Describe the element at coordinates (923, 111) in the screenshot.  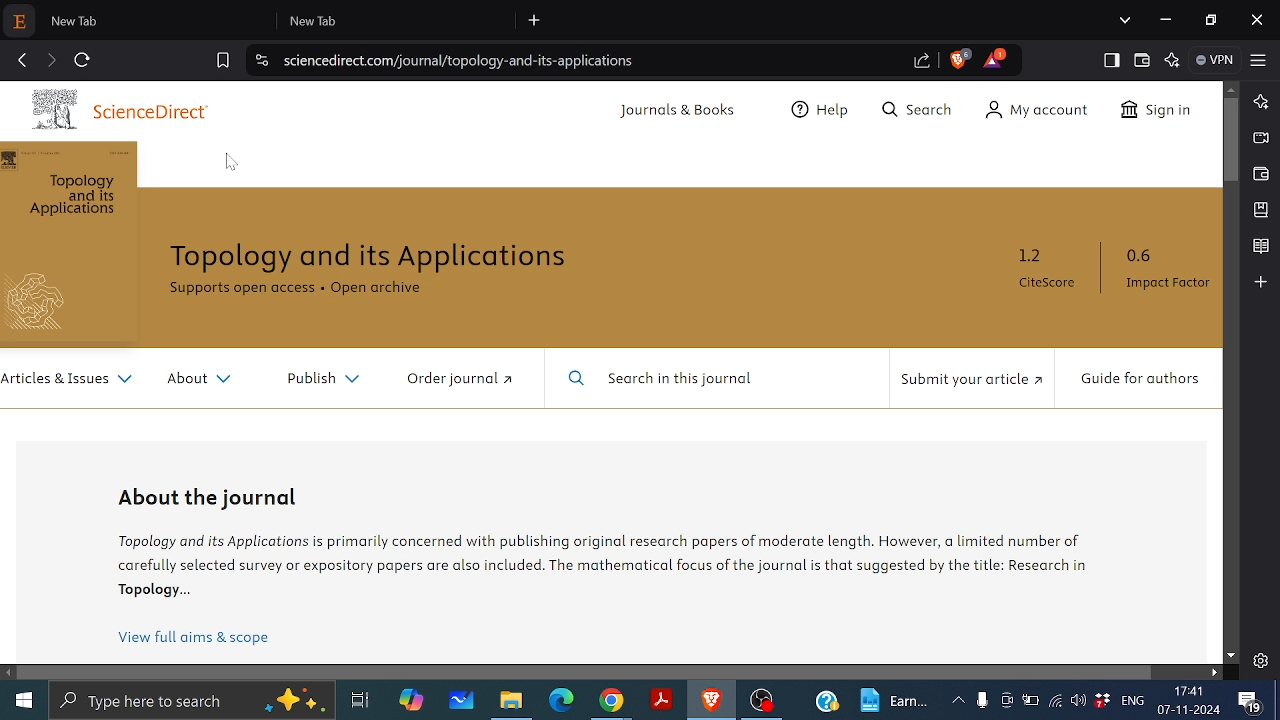
I see `Q search` at that location.